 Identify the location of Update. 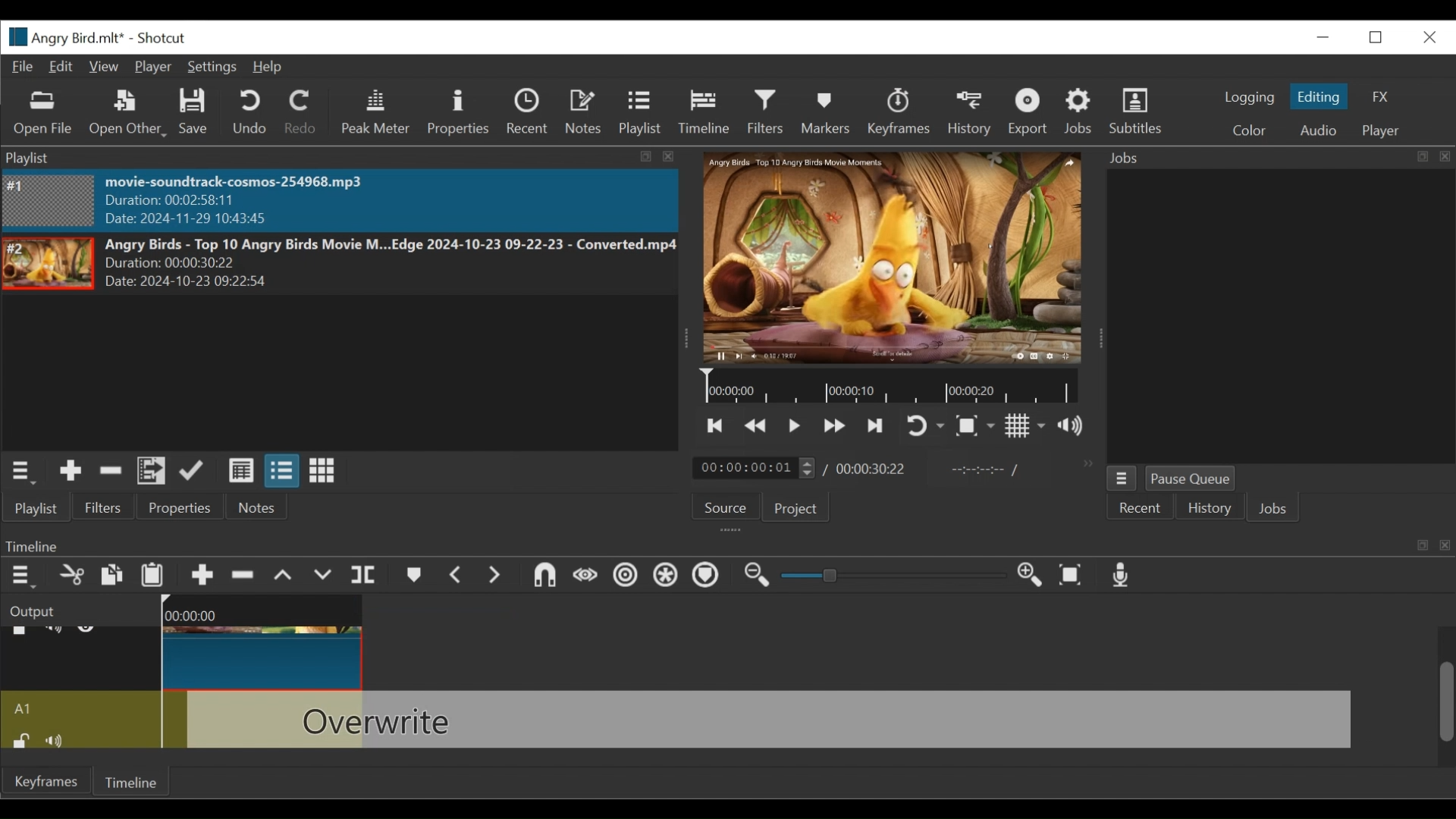
(196, 471).